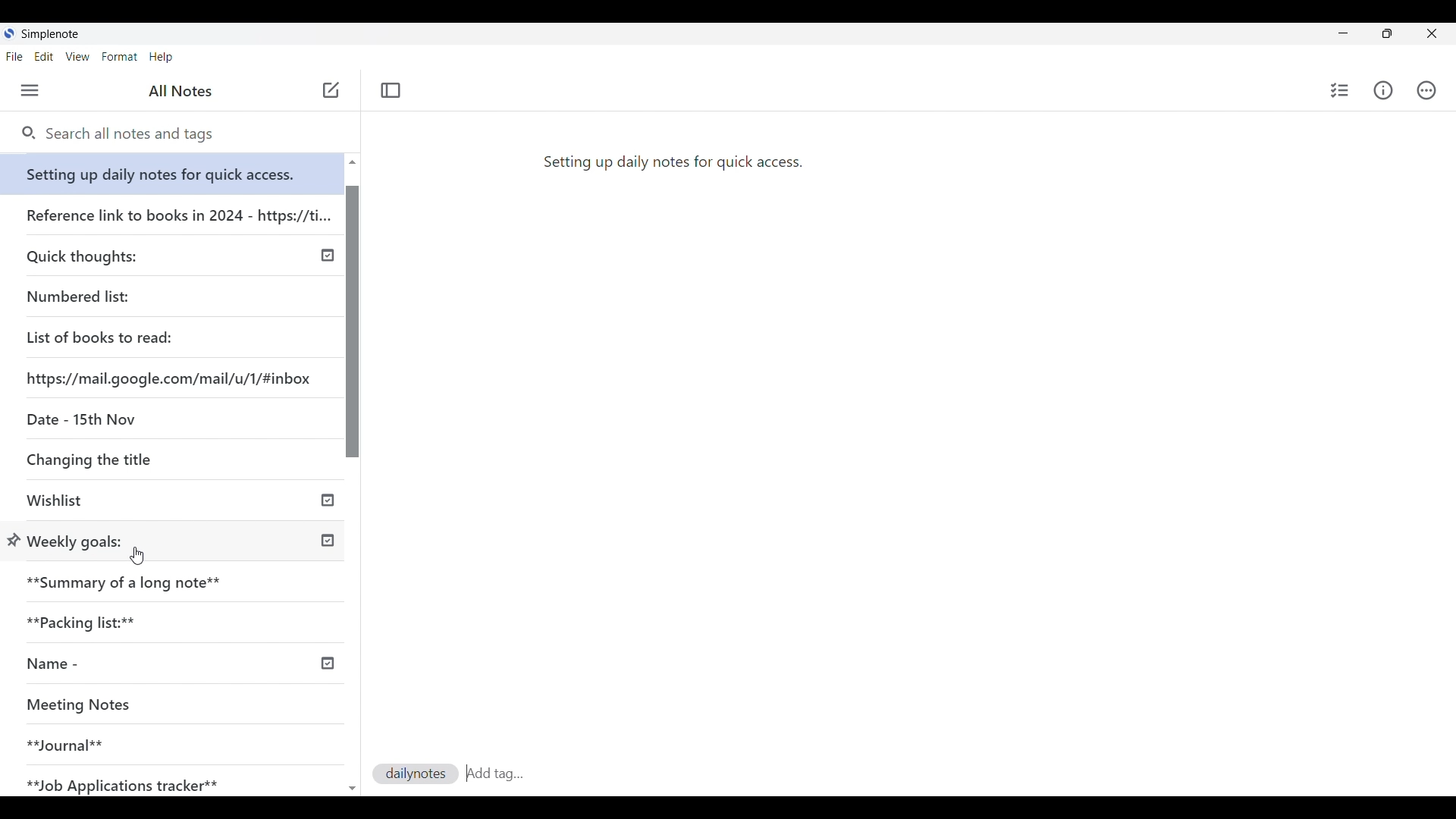 The width and height of the screenshot is (1456, 819). What do you see at coordinates (672, 160) in the screenshot?
I see `setting uo daily notes for quick access` at bounding box center [672, 160].